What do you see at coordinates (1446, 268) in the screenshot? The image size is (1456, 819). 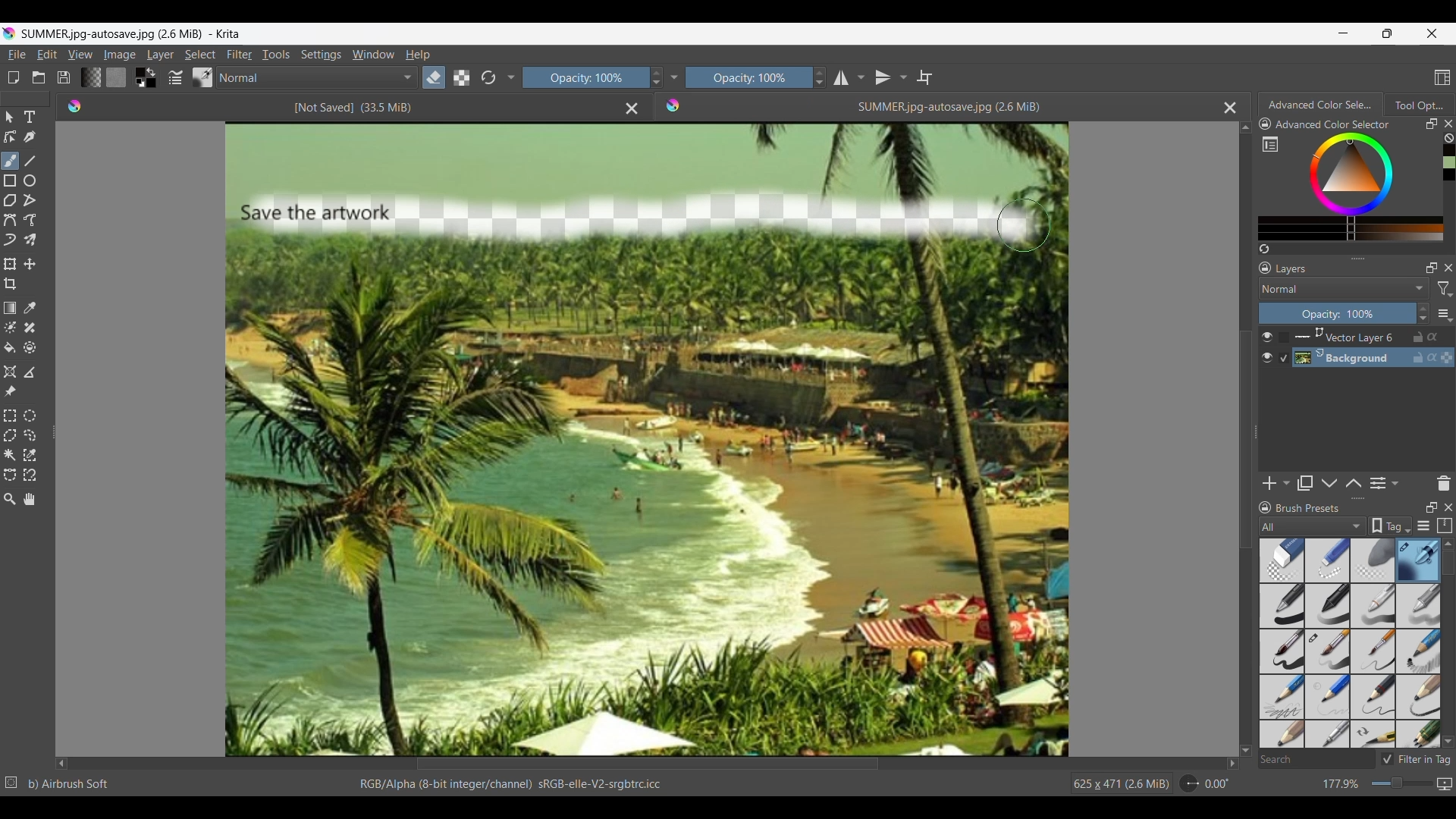 I see `Close layers panel` at bounding box center [1446, 268].